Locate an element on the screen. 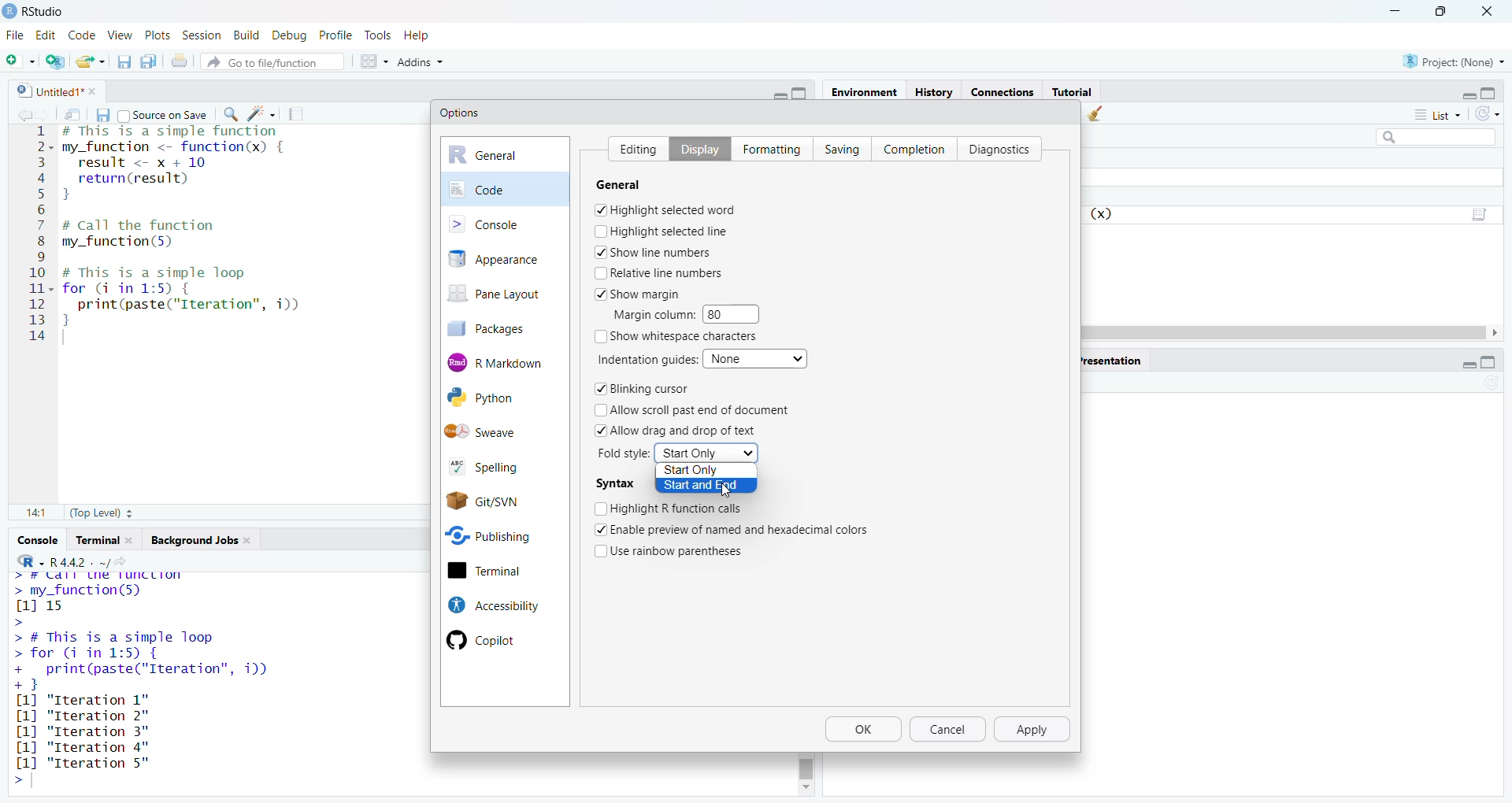  code of a simple function is located at coordinates (195, 165).